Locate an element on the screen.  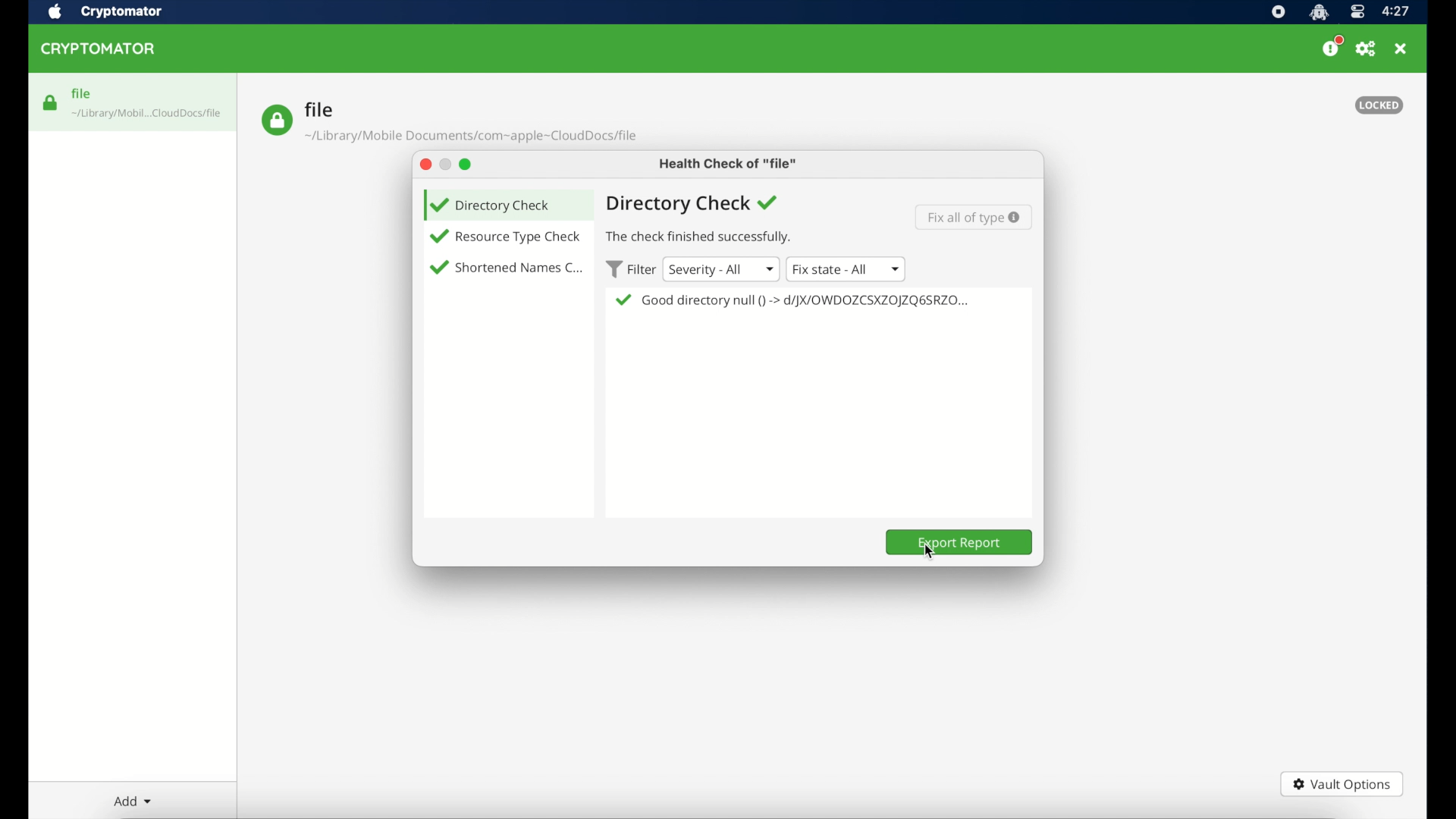
donate is located at coordinates (1332, 47).